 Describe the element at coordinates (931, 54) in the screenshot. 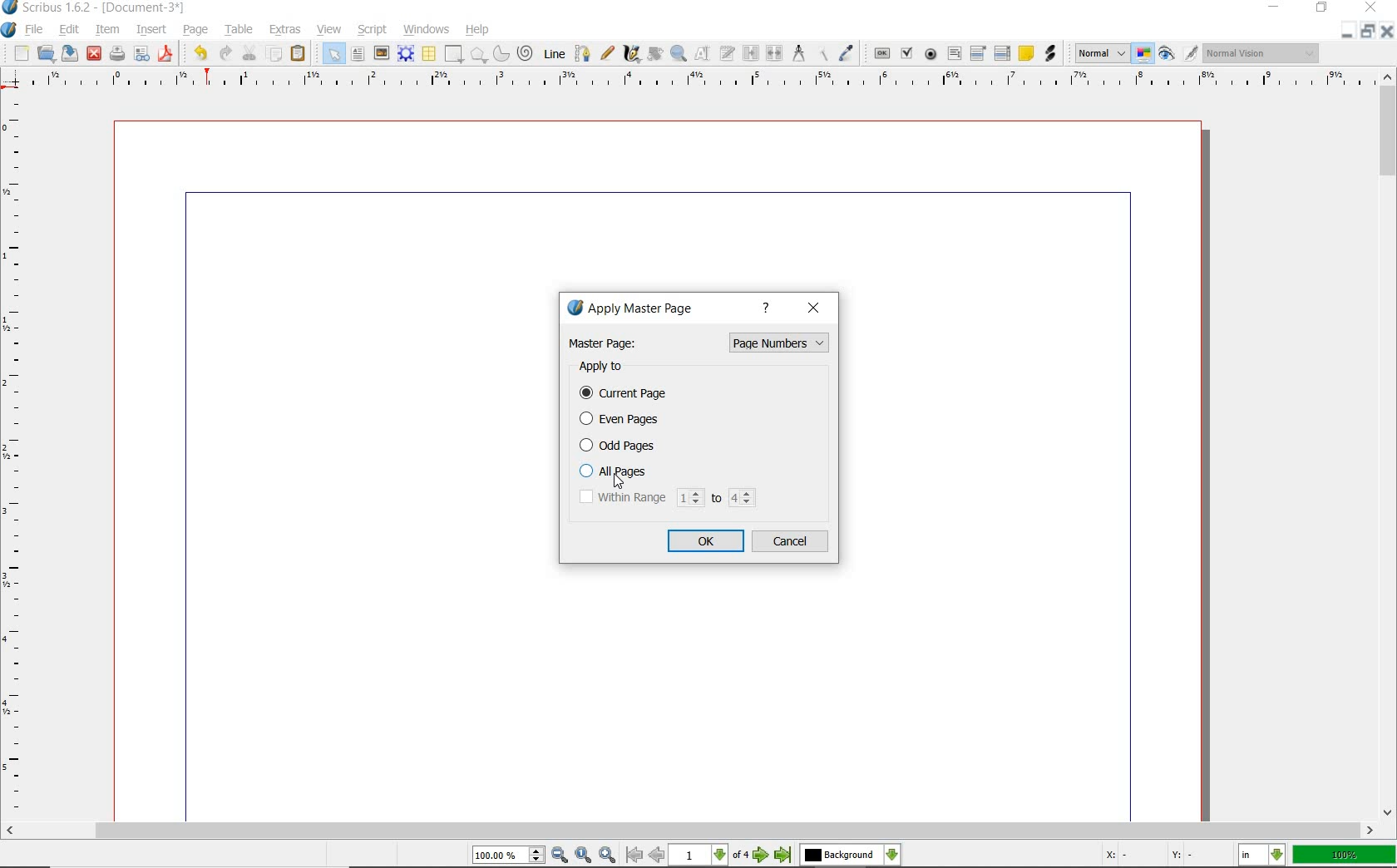

I see `pdf radio button` at that location.